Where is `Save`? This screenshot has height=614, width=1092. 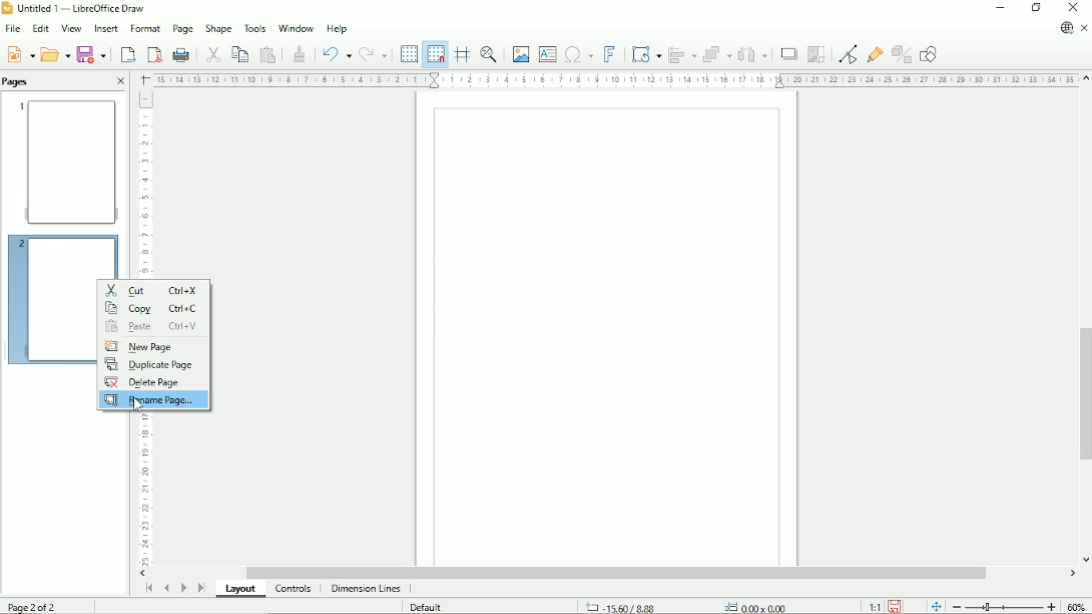 Save is located at coordinates (896, 605).